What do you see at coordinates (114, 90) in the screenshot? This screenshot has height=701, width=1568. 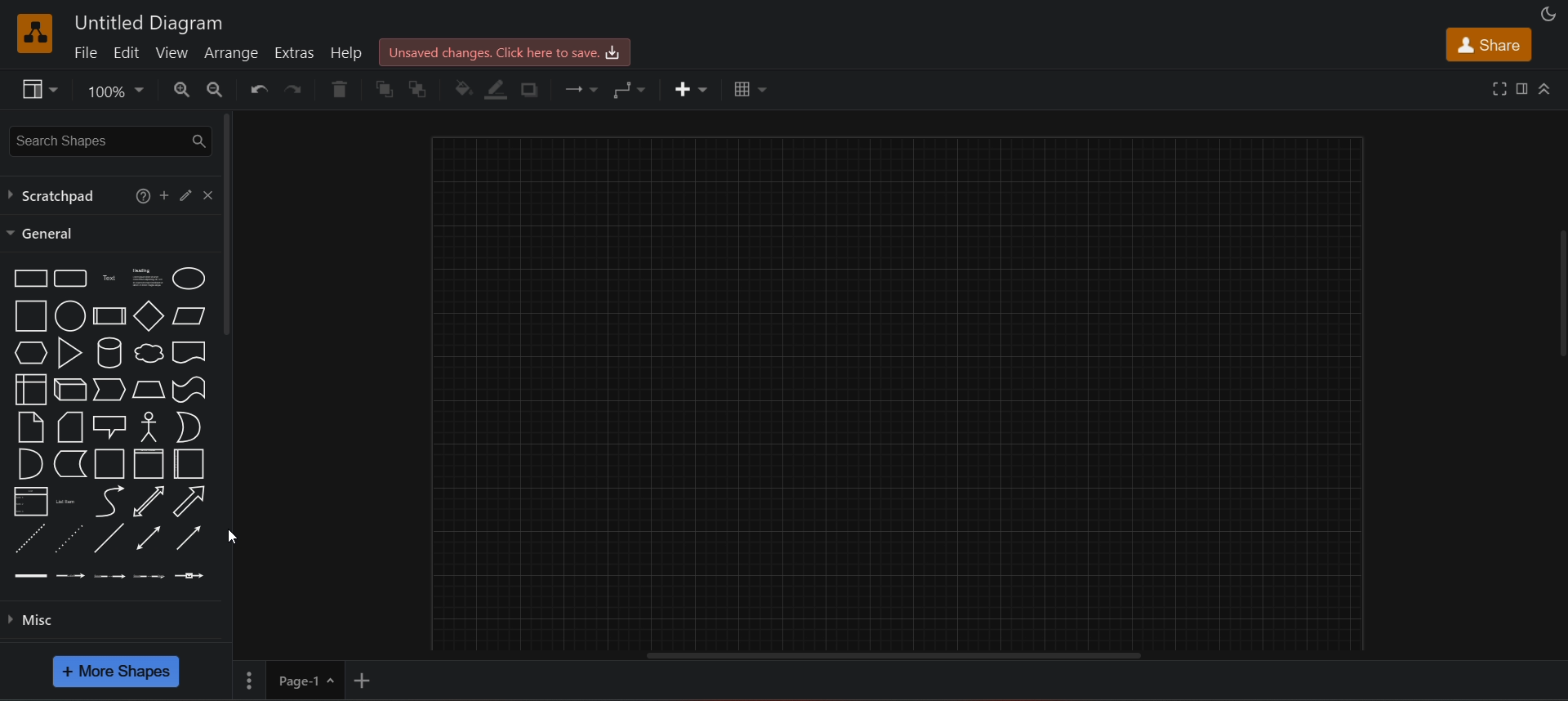 I see `zoom` at bounding box center [114, 90].